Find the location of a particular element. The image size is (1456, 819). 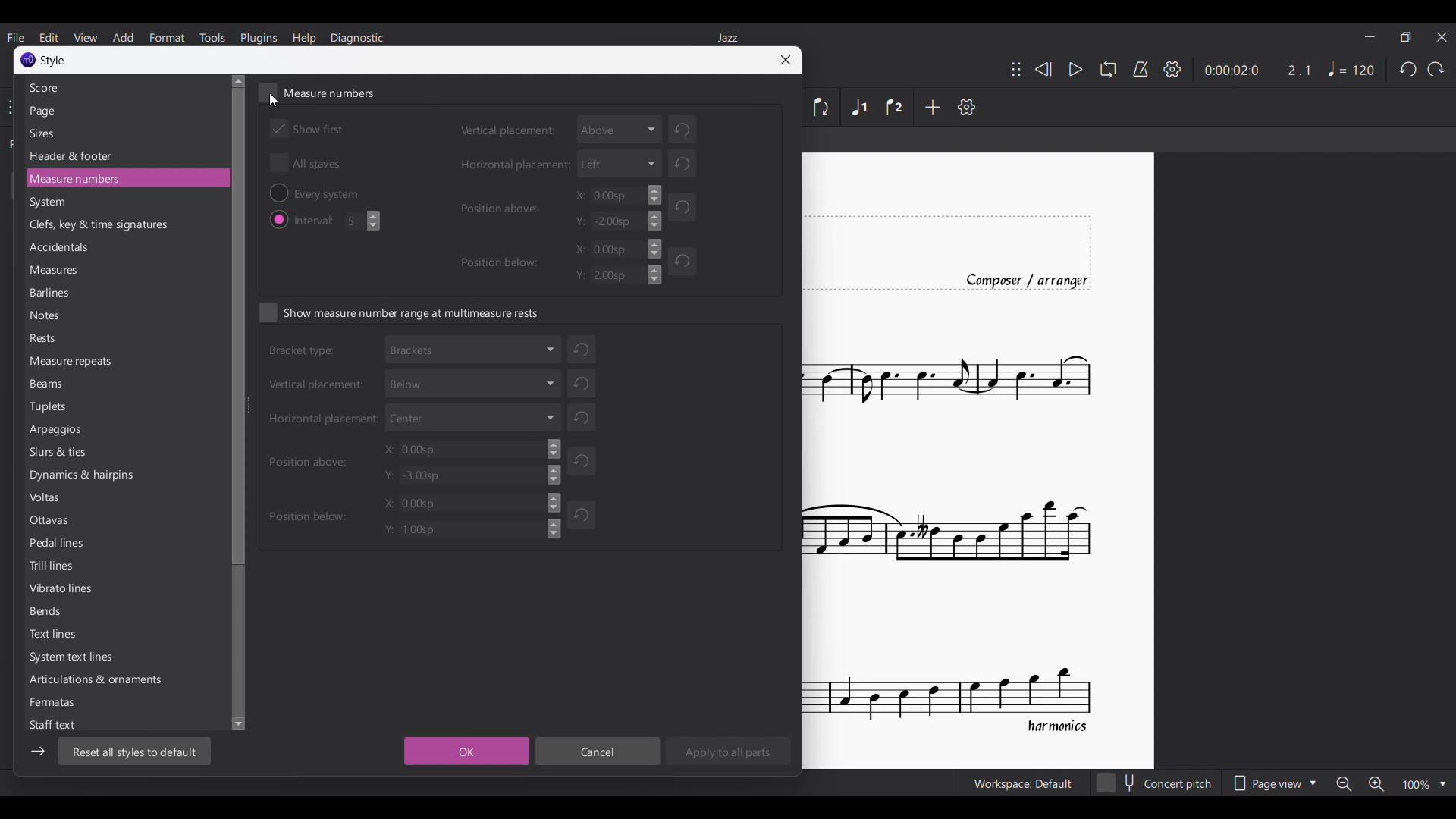

Settings is located at coordinates (1172, 69).